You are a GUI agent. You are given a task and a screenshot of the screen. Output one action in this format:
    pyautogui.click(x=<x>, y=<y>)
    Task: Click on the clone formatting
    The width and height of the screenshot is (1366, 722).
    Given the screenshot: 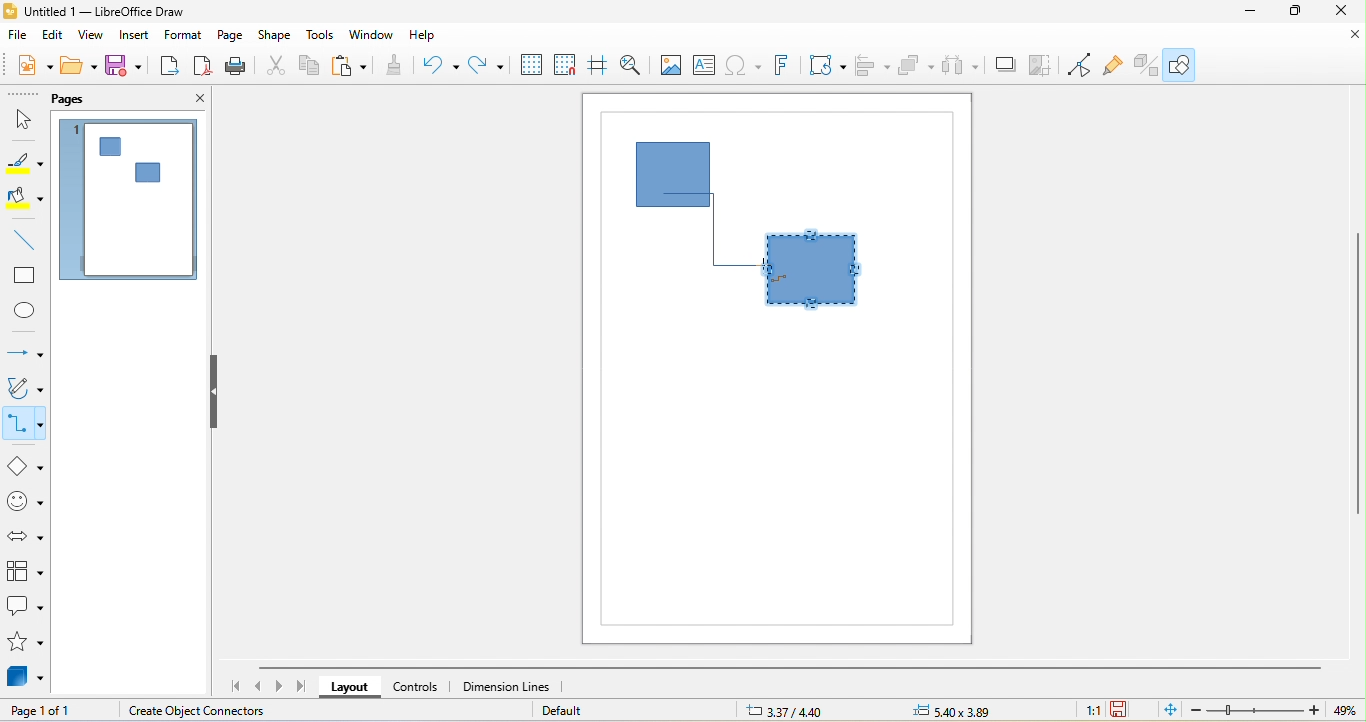 What is the action you would take?
    pyautogui.click(x=397, y=68)
    